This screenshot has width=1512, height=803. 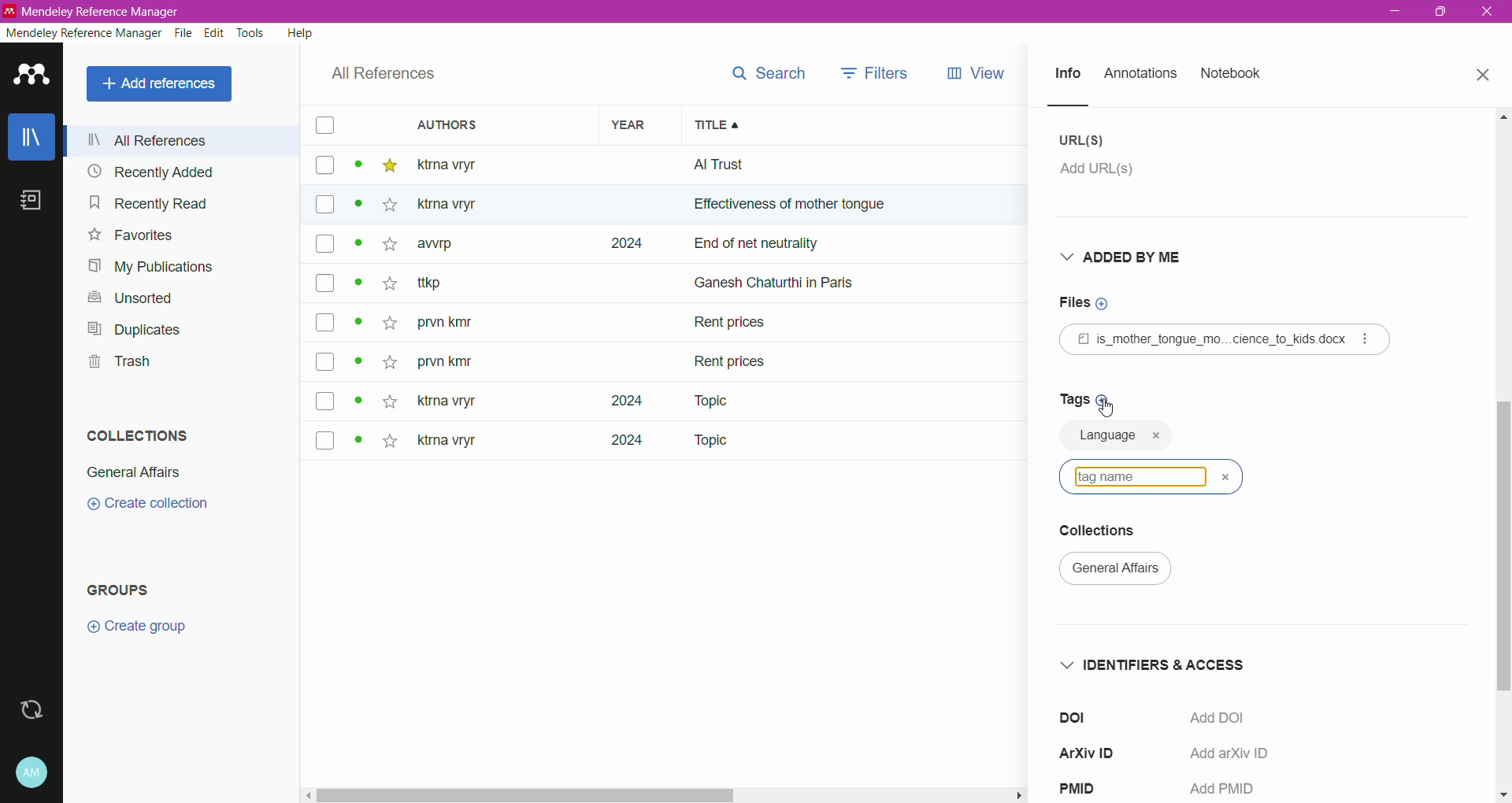 I want to click on dot , so click(x=357, y=168).